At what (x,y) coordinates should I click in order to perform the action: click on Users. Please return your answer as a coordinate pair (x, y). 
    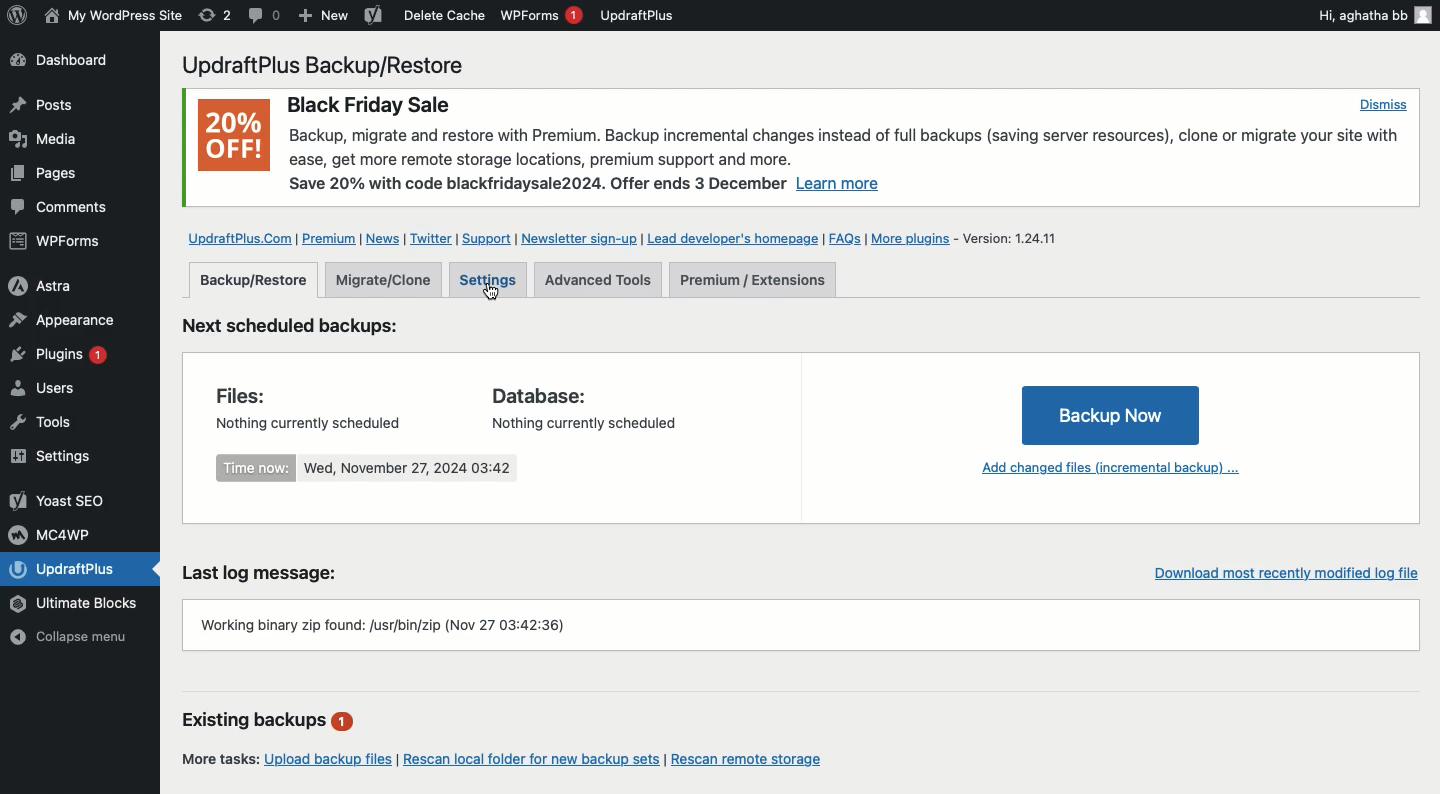
    Looking at the image, I should click on (63, 391).